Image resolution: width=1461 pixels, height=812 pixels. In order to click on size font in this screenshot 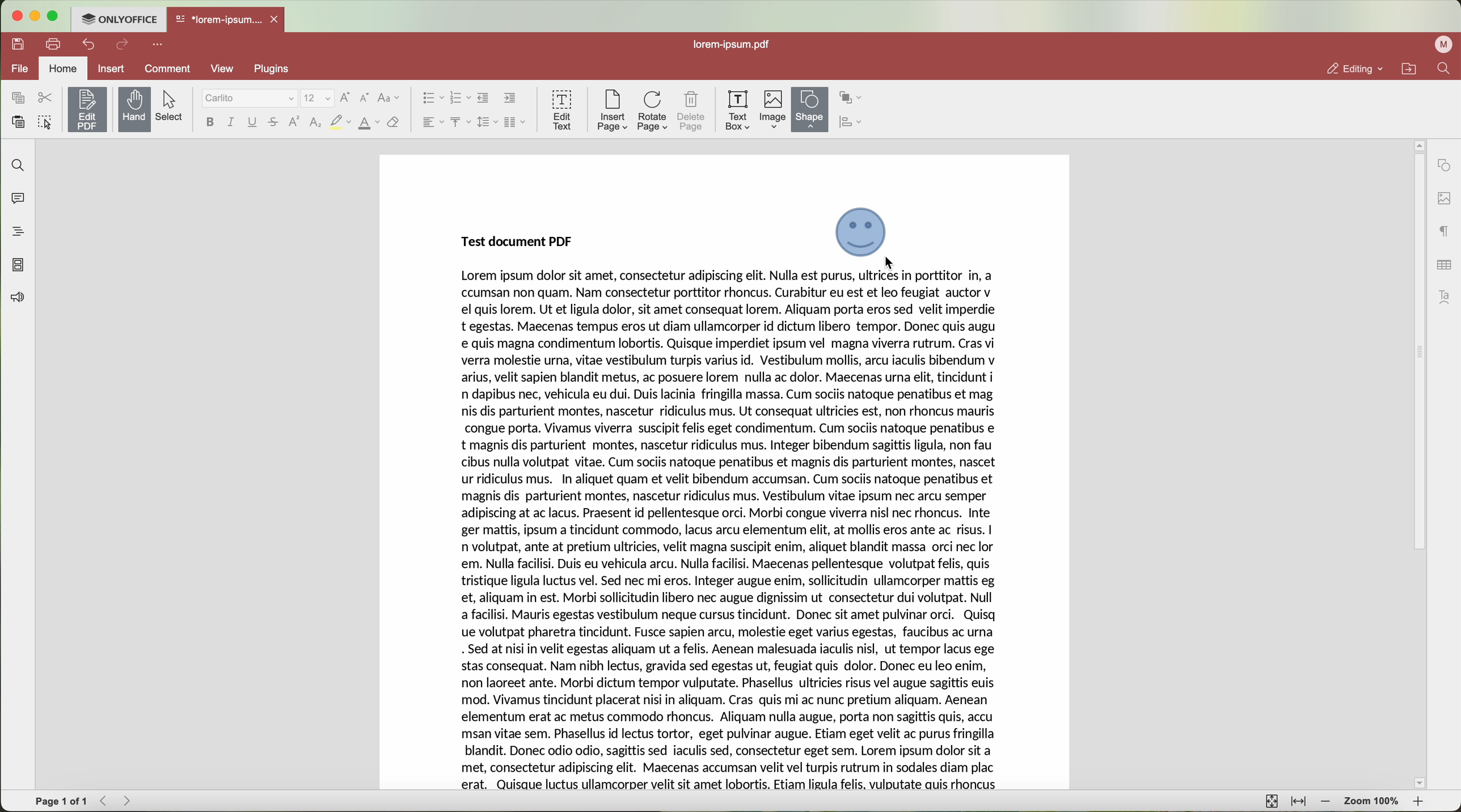, I will do `click(319, 98)`.